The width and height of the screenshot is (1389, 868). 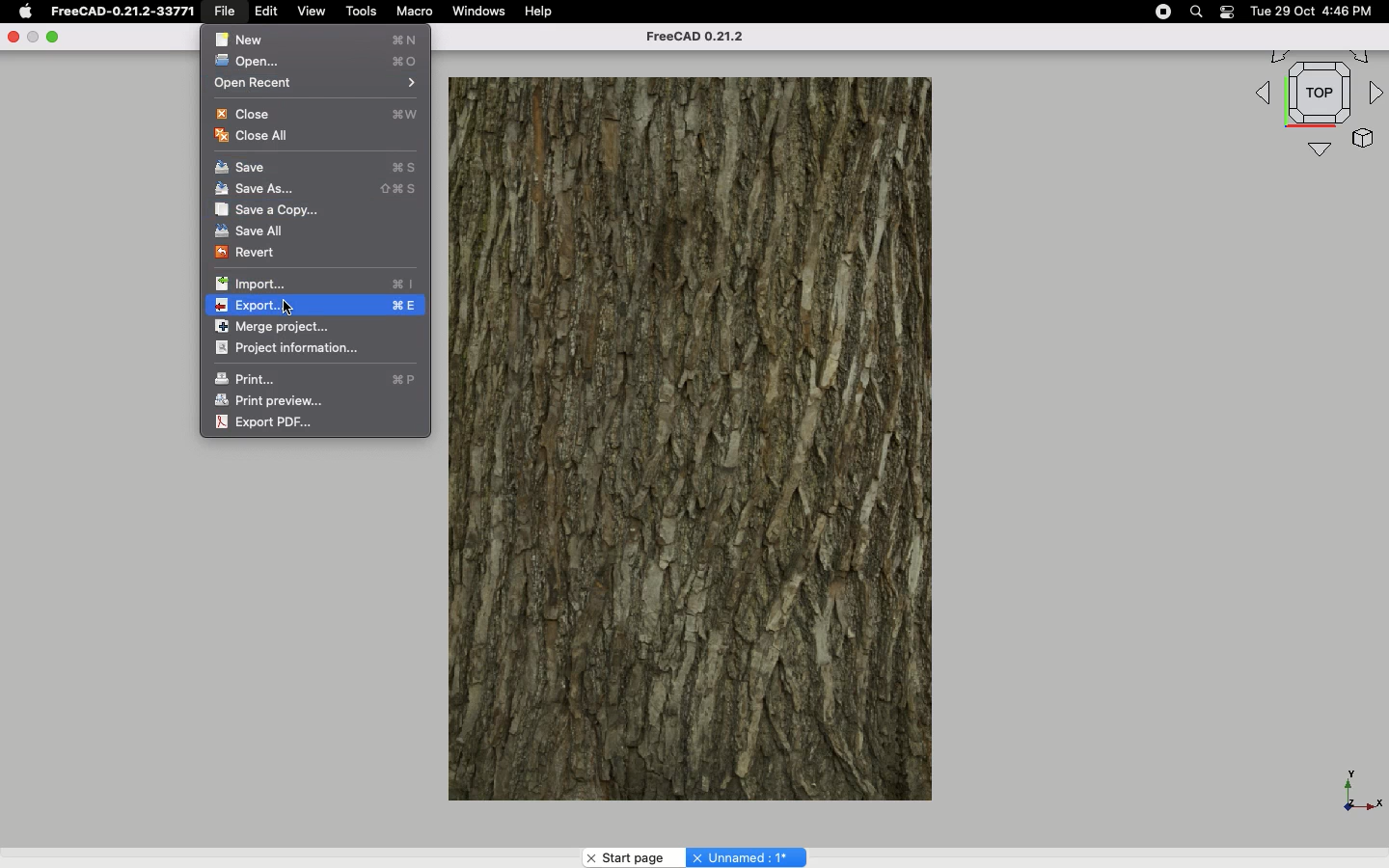 I want to click on New, so click(x=317, y=40).